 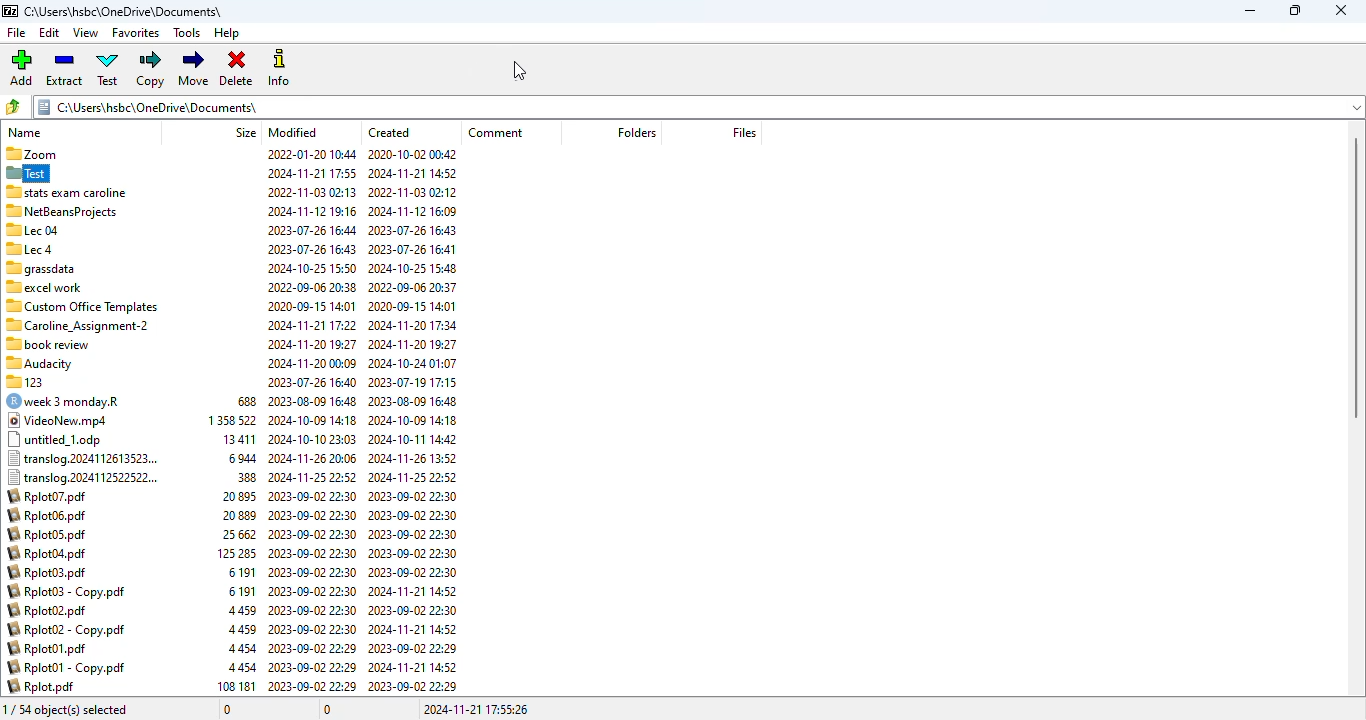 I want to click on Caroline_Assignment-2, so click(x=77, y=326).